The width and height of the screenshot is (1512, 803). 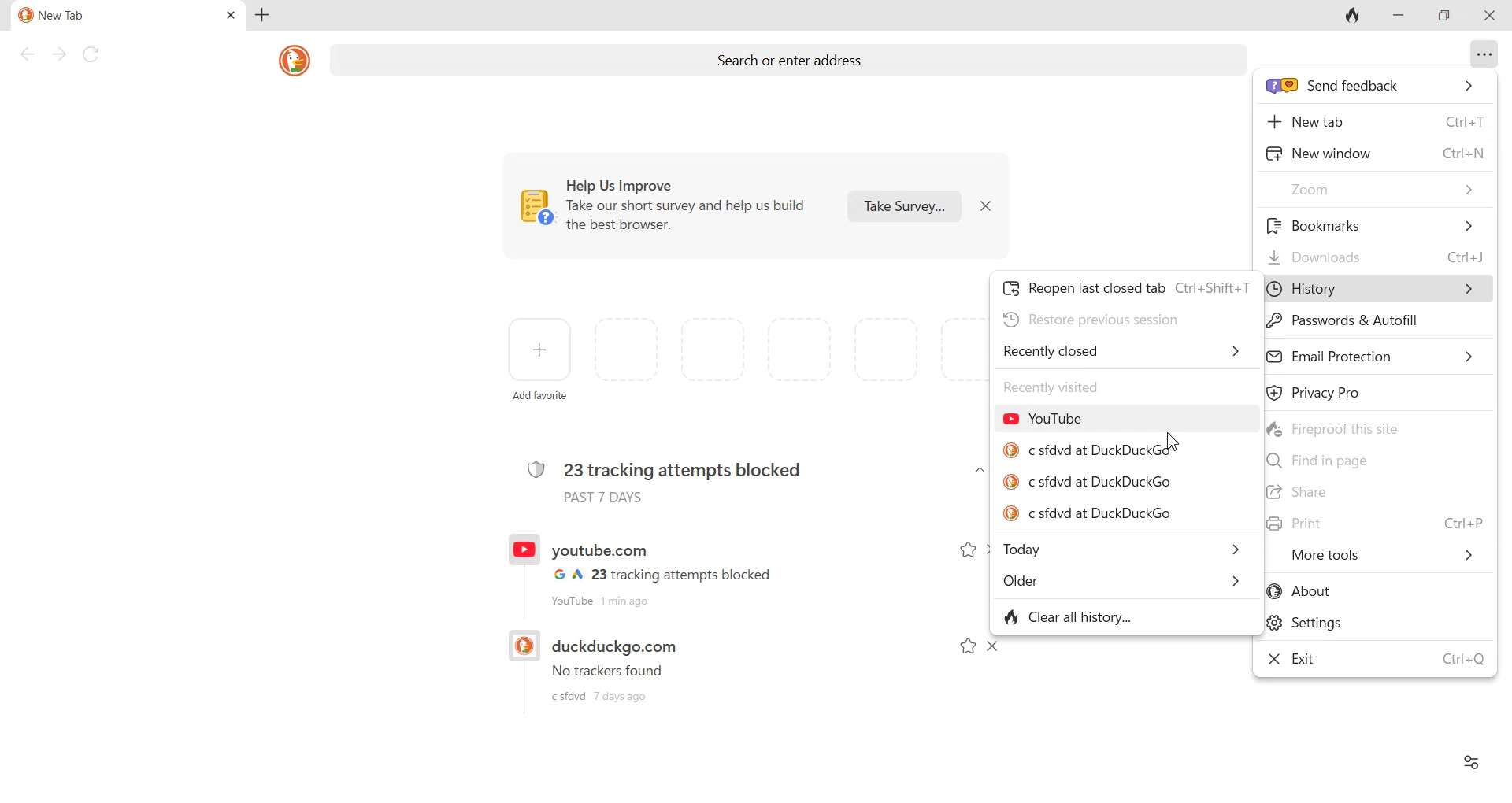 What do you see at coordinates (1173, 442) in the screenshot?
I see `Cursor` at bounding box center [1173, 442].